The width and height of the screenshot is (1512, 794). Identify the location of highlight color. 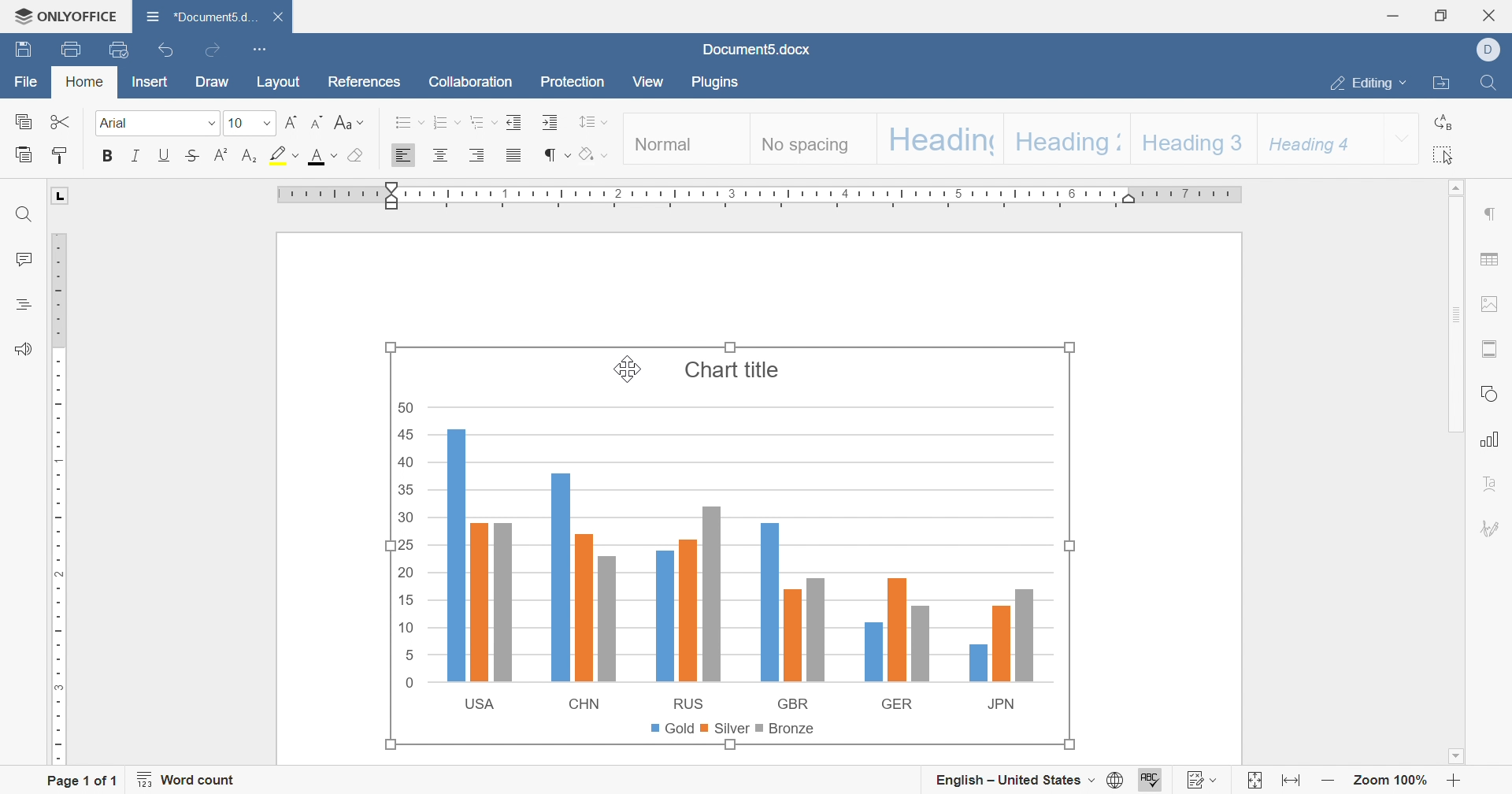
(283, 154).